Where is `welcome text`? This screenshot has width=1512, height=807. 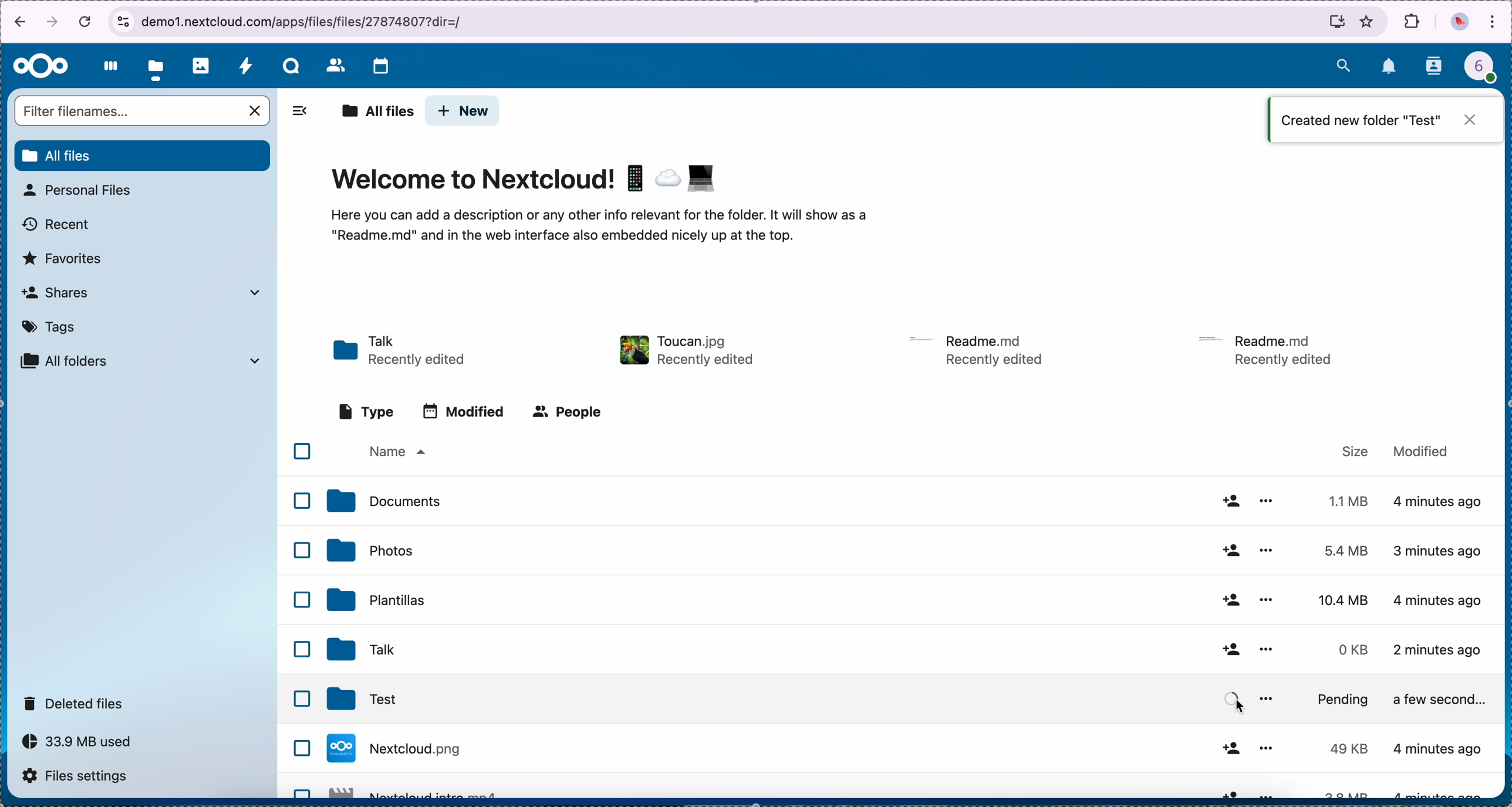 welcome text is located at coordinates (597, 229).